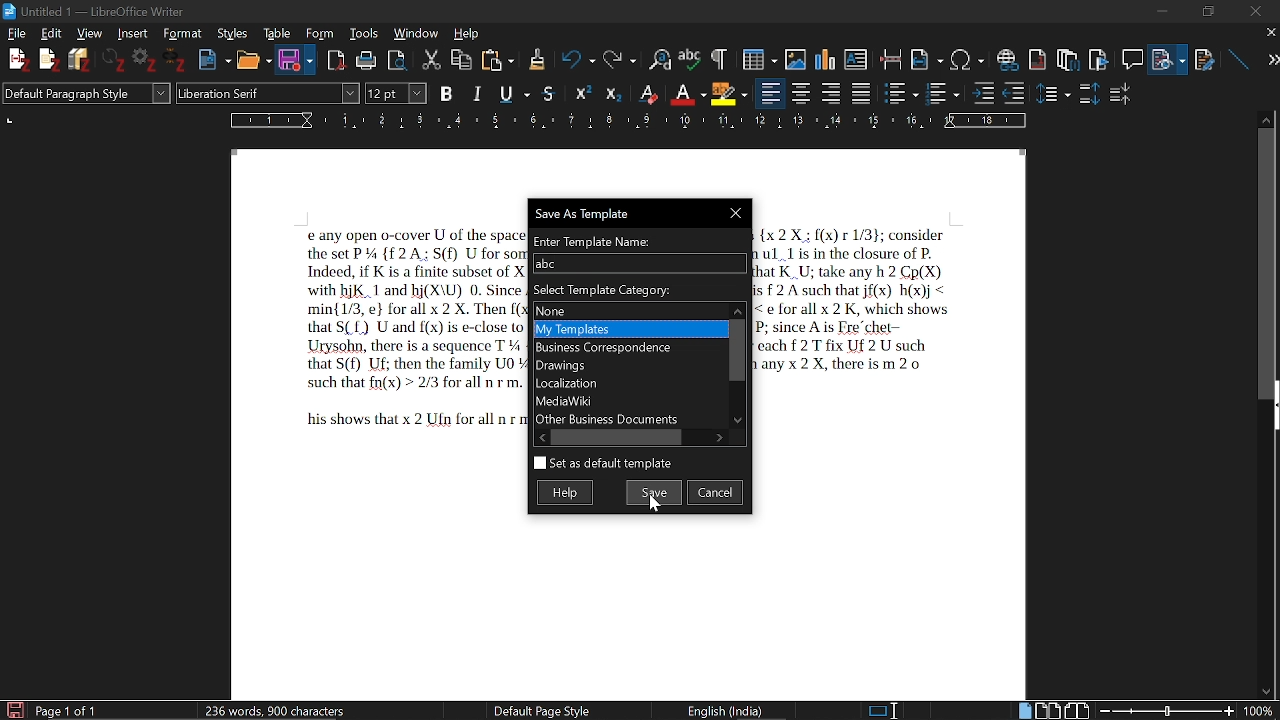 The width and height of the screenshot is (1280, 720). What do you see at coordinates (112, 9) in the screenshot?
I see `Untitled - LibreOffice Writer` at bounding box center [112, 9].